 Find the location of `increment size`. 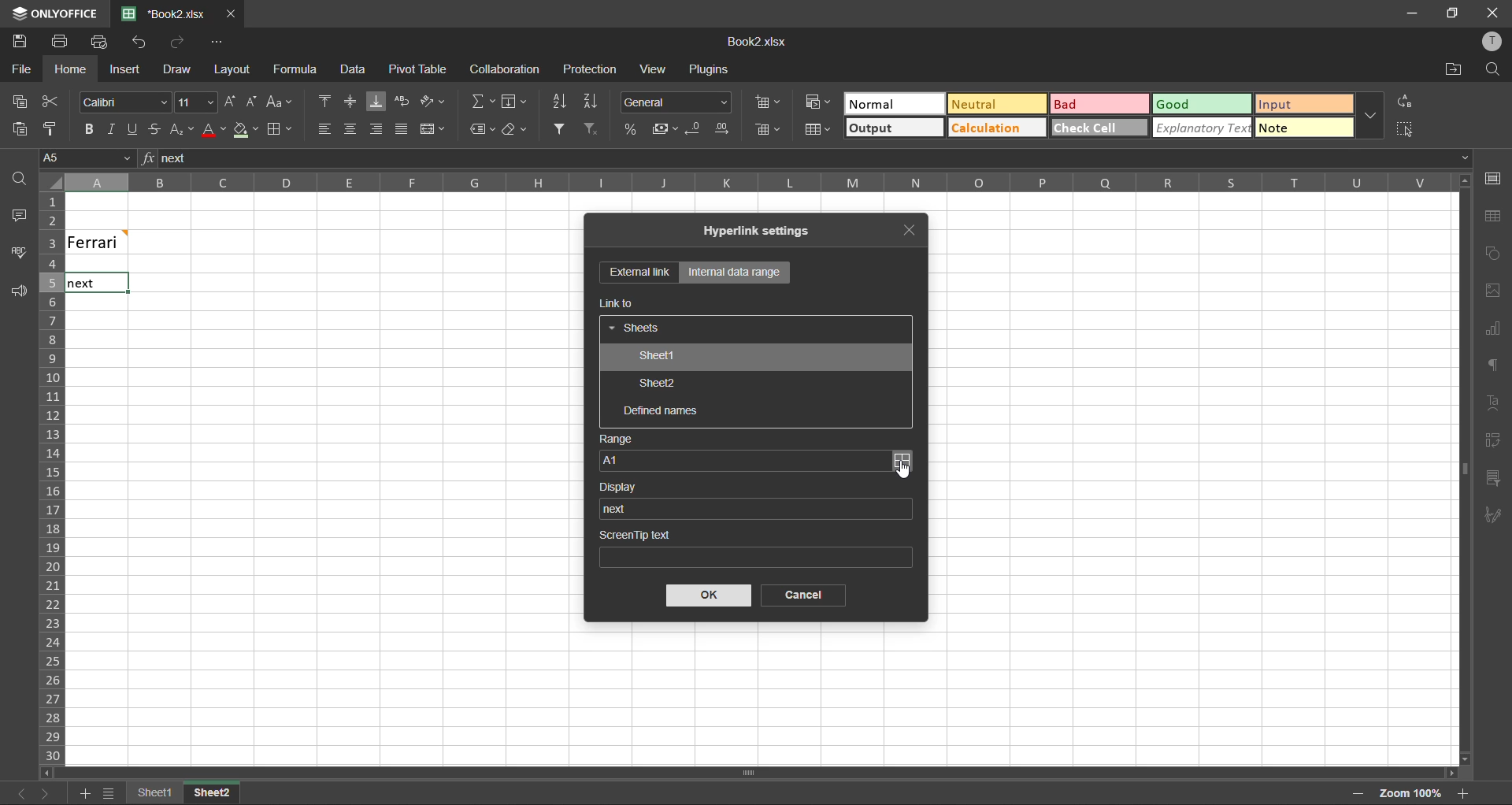

increment size is located at coordinates (229, 102).